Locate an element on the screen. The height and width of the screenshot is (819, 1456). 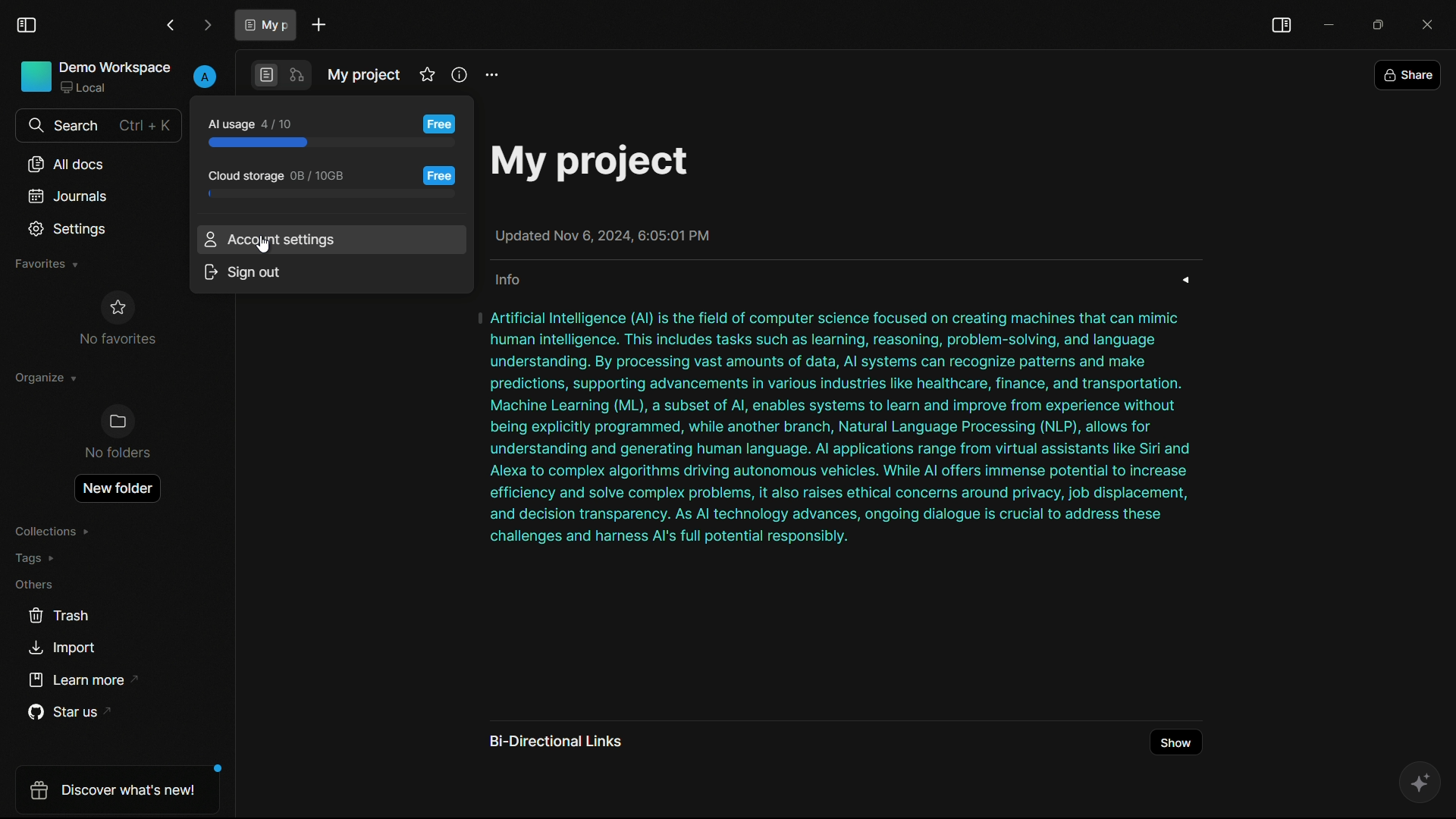
Discover What's new is located at coordinates (116, 789).